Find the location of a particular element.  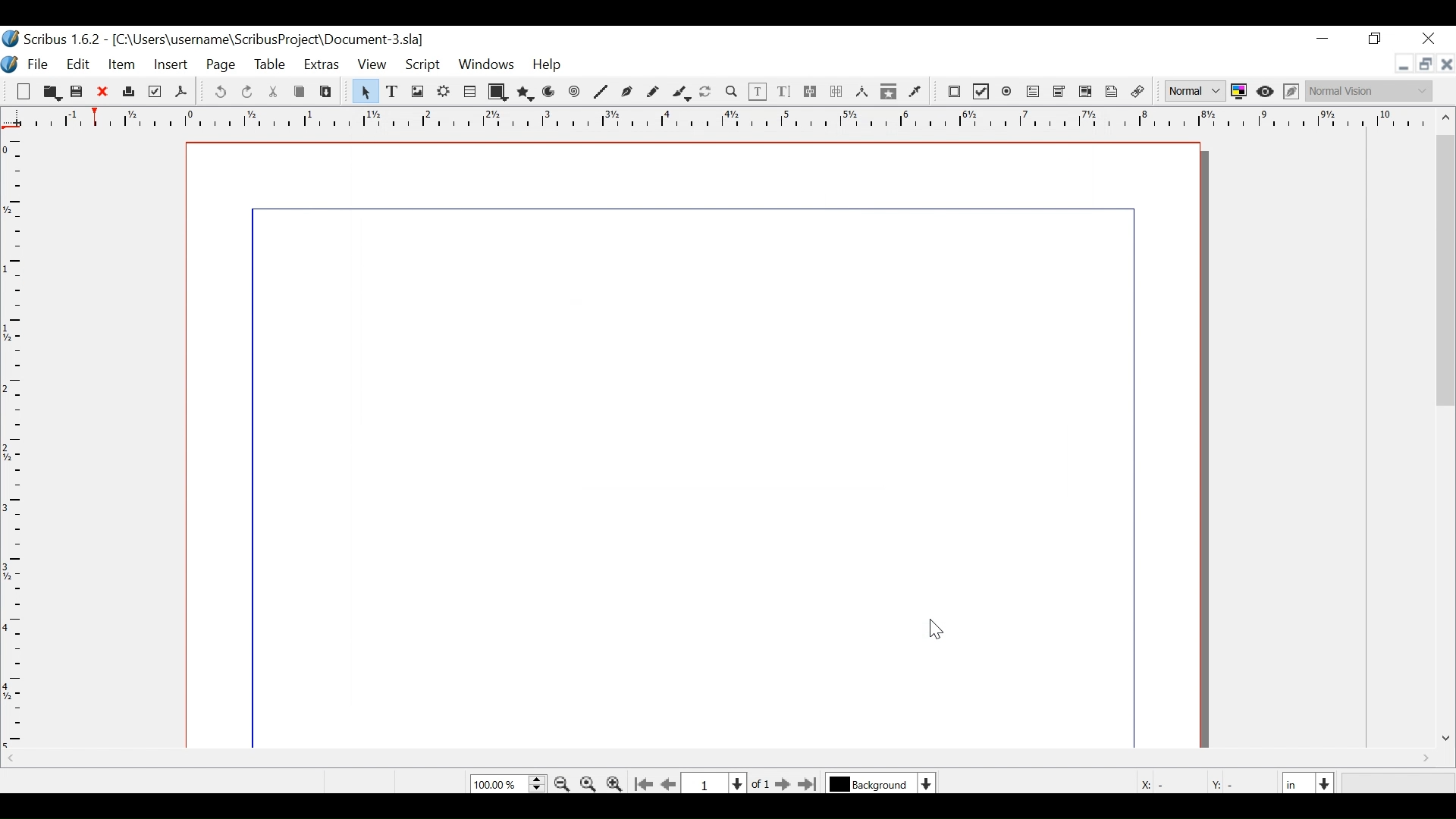

Zoom in / out is located at coordinates (731, 91).